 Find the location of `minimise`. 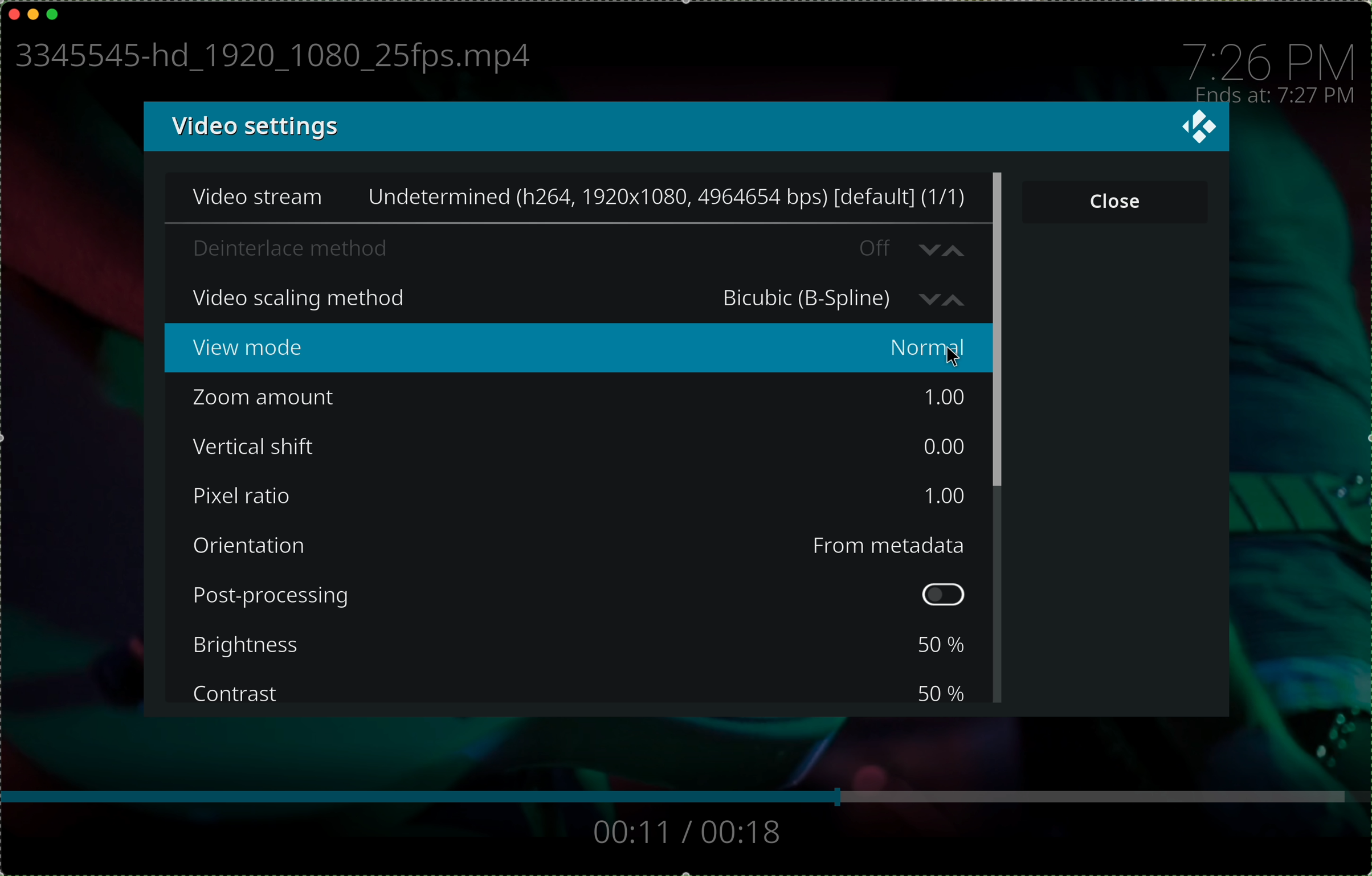

minimise is located at coordinates (33, 13).